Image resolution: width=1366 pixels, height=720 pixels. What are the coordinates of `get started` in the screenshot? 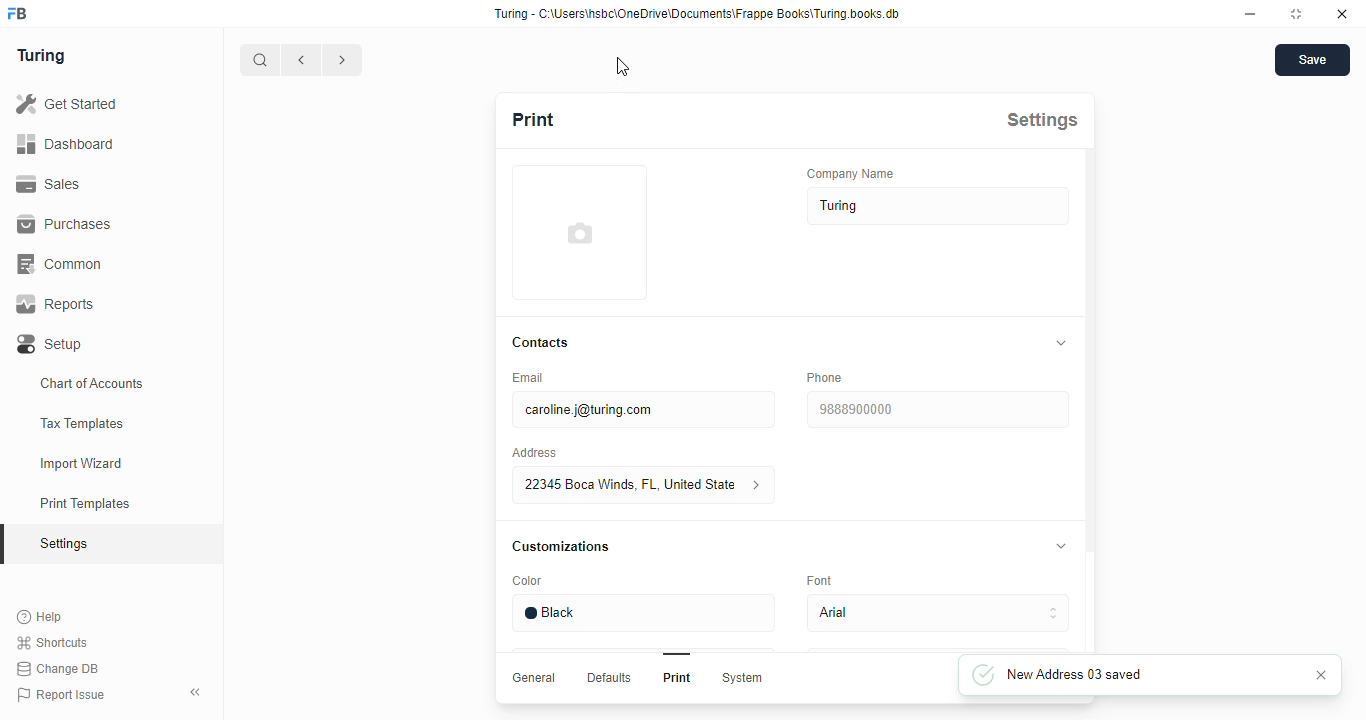 It's located at (66, 104).